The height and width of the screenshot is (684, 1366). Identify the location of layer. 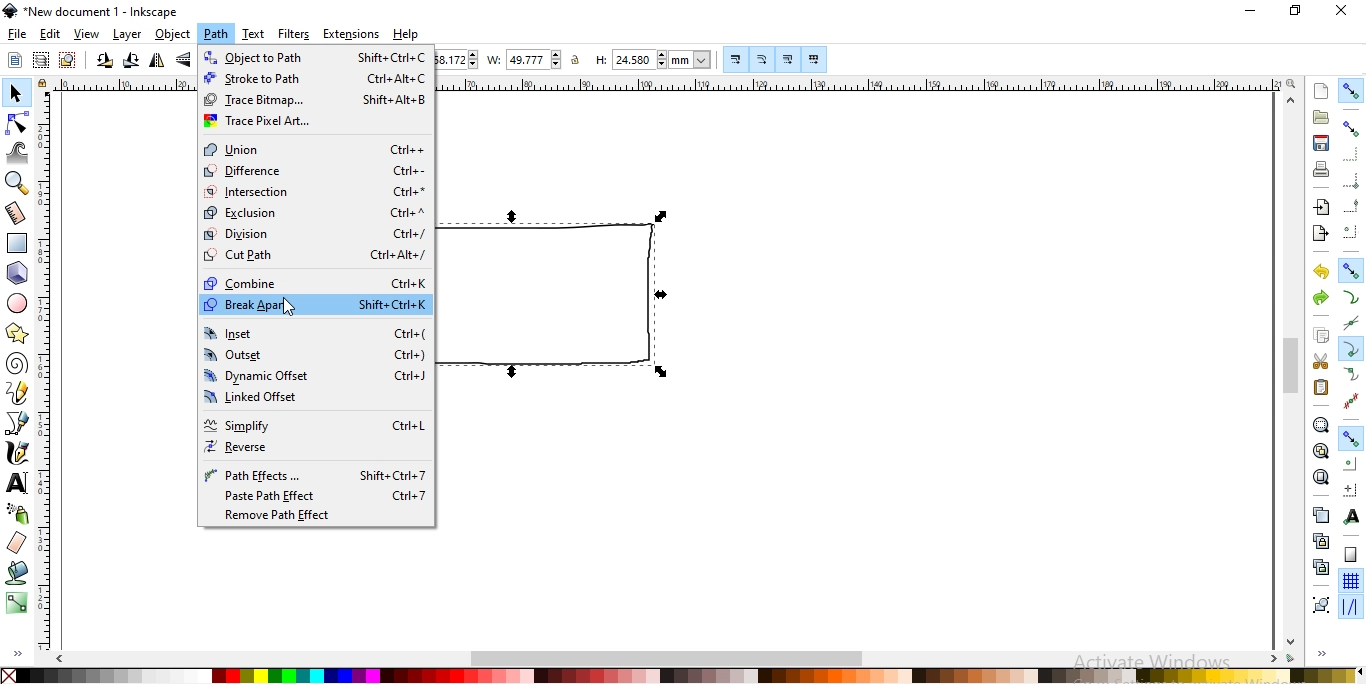
(128, 35).